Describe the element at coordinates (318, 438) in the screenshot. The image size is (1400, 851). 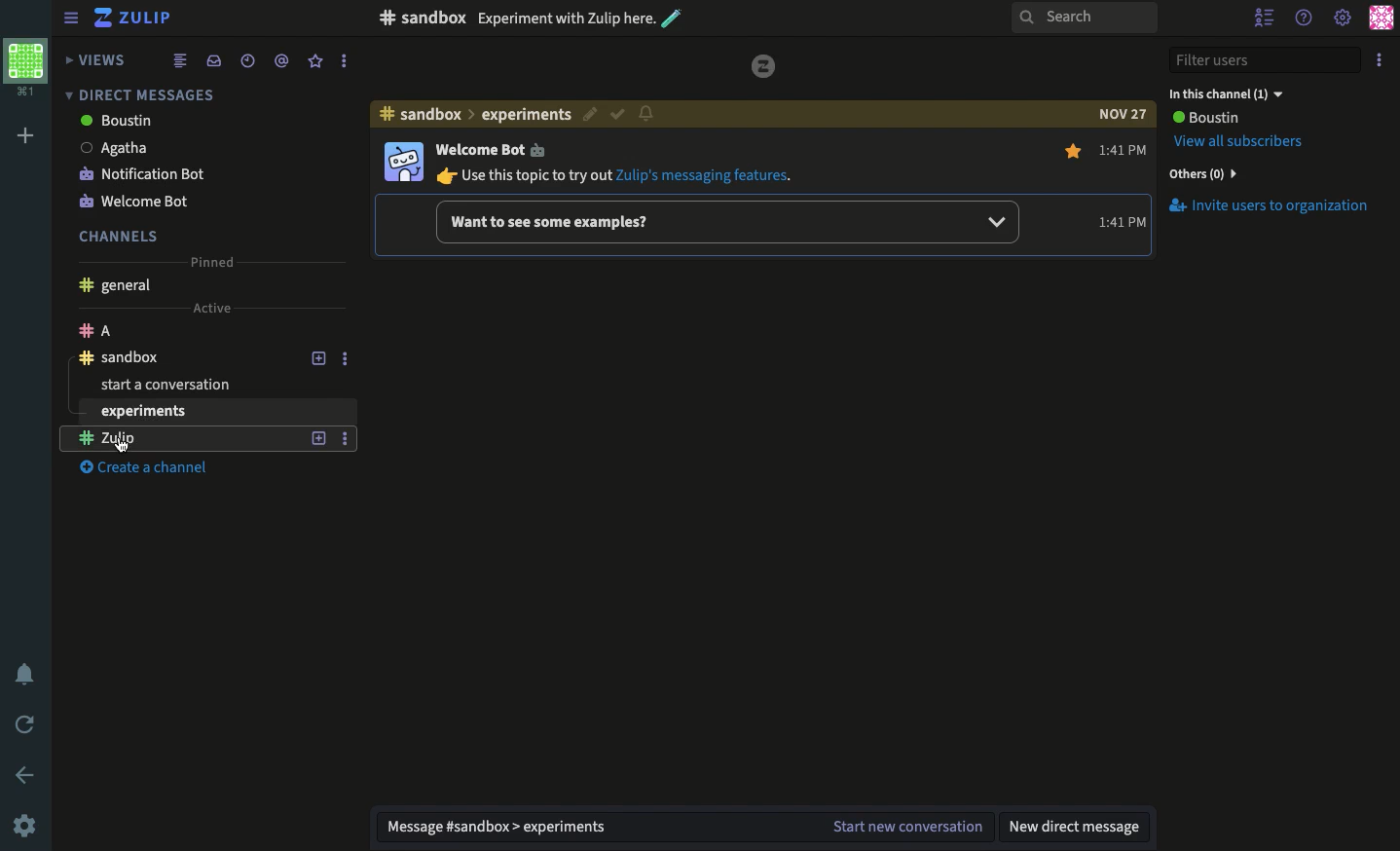
I see `add a topic` at that location.